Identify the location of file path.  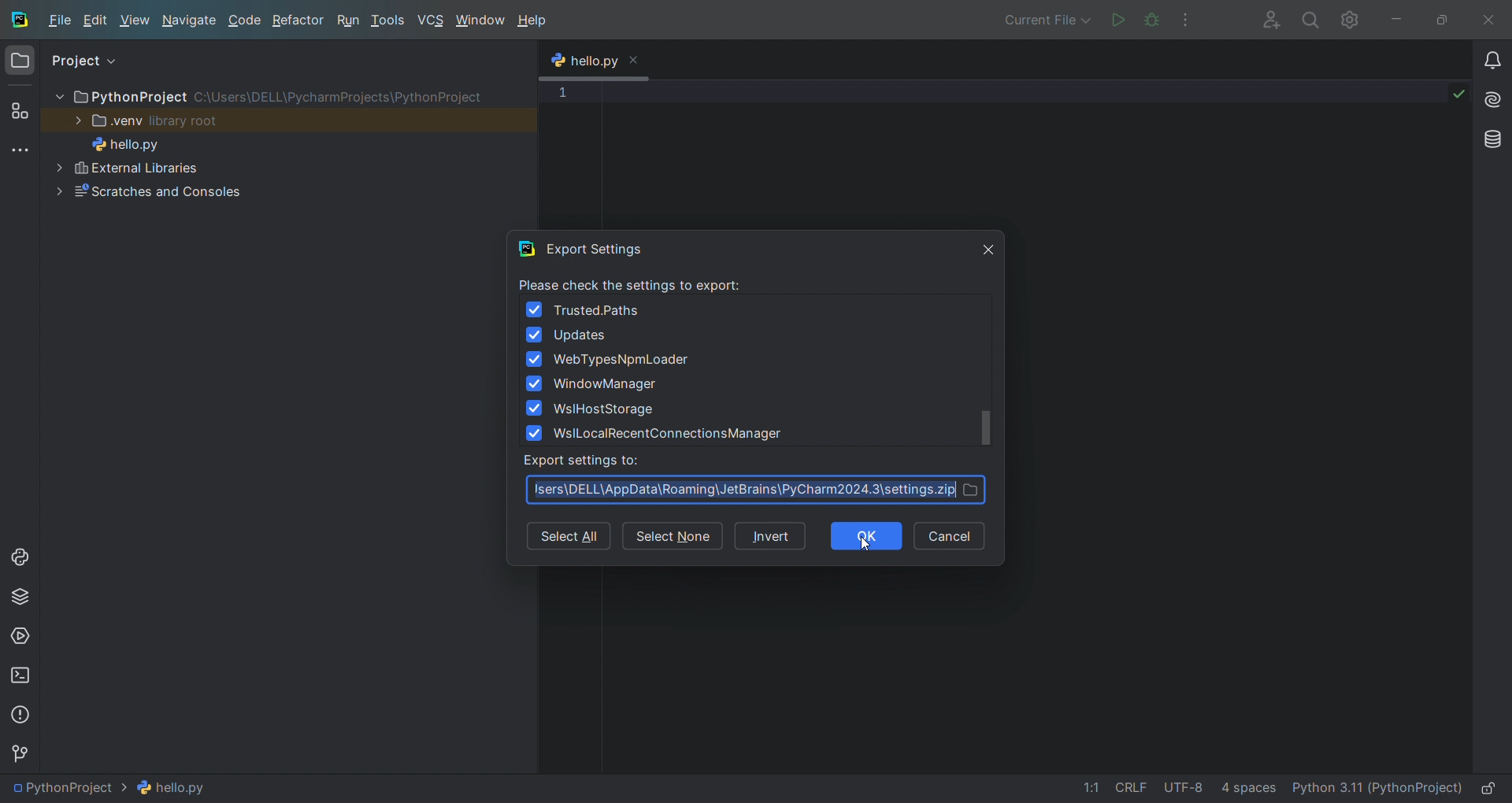
(117, 787).